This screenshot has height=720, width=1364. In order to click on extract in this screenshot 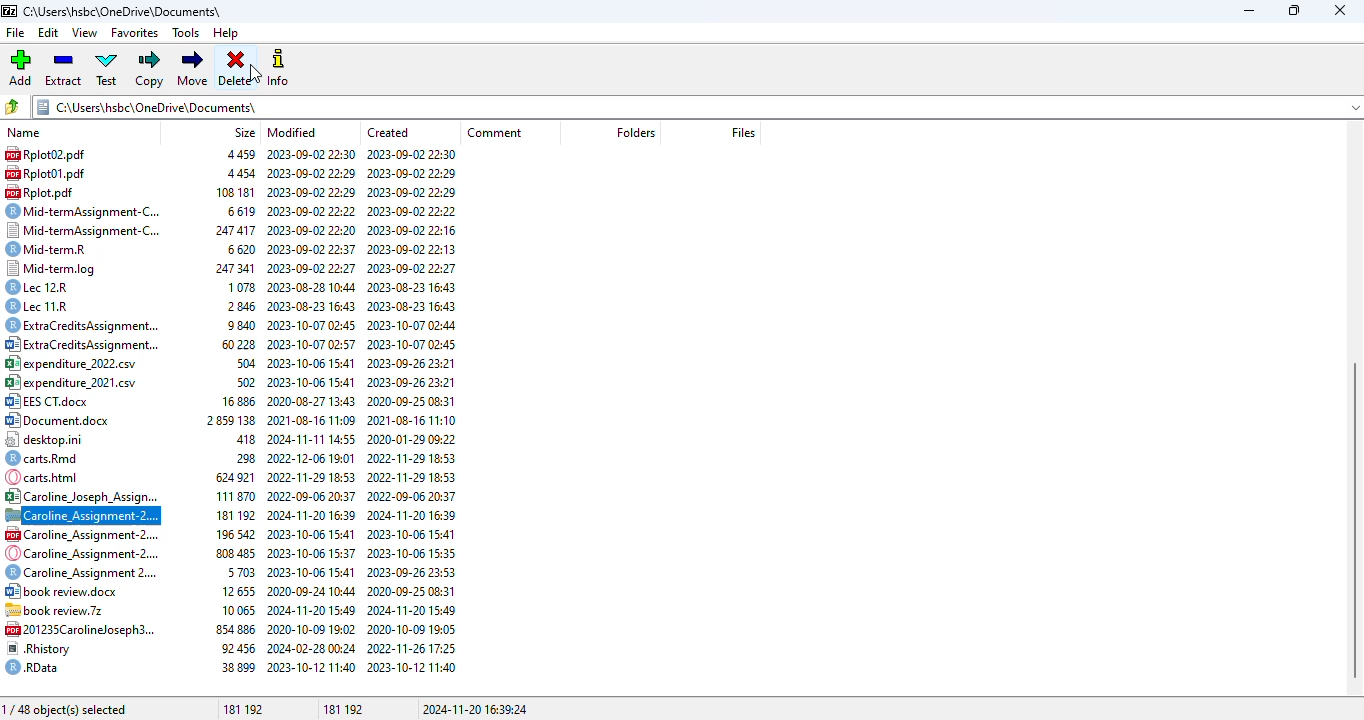, I will do `click(64, 68)`.